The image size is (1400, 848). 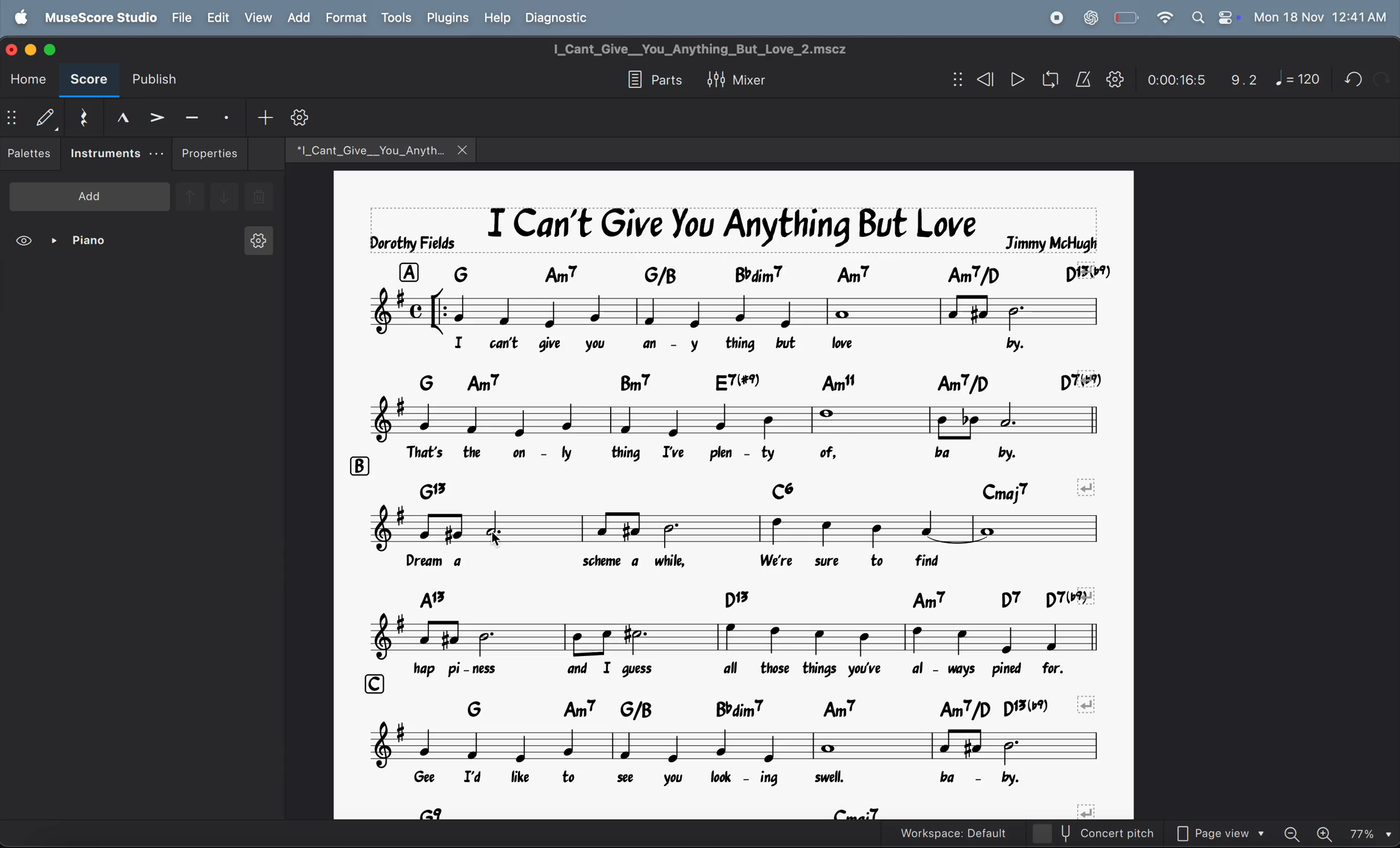 I want to click on stacatto, so click(x=226, y=115).